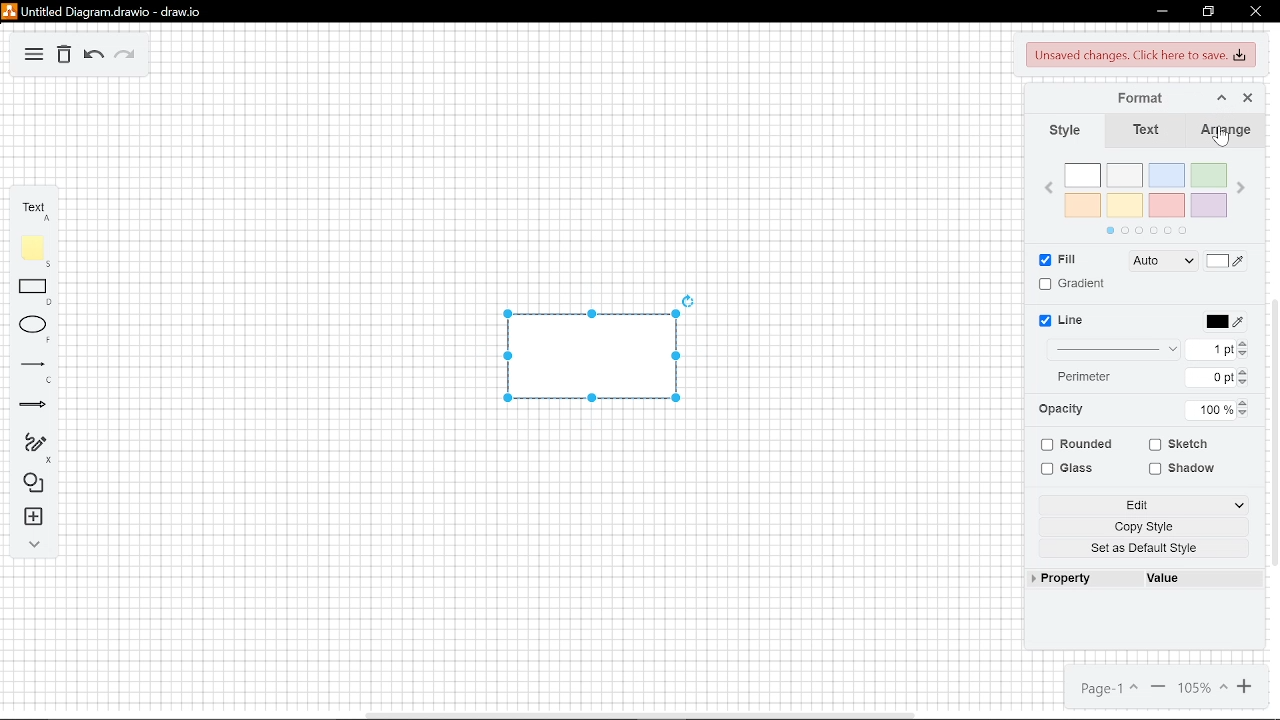 The width and height of the screenshot is (1280, 720). Describe the element at coordinates (1171, 581) in the screenshot. I see `value` at that location.